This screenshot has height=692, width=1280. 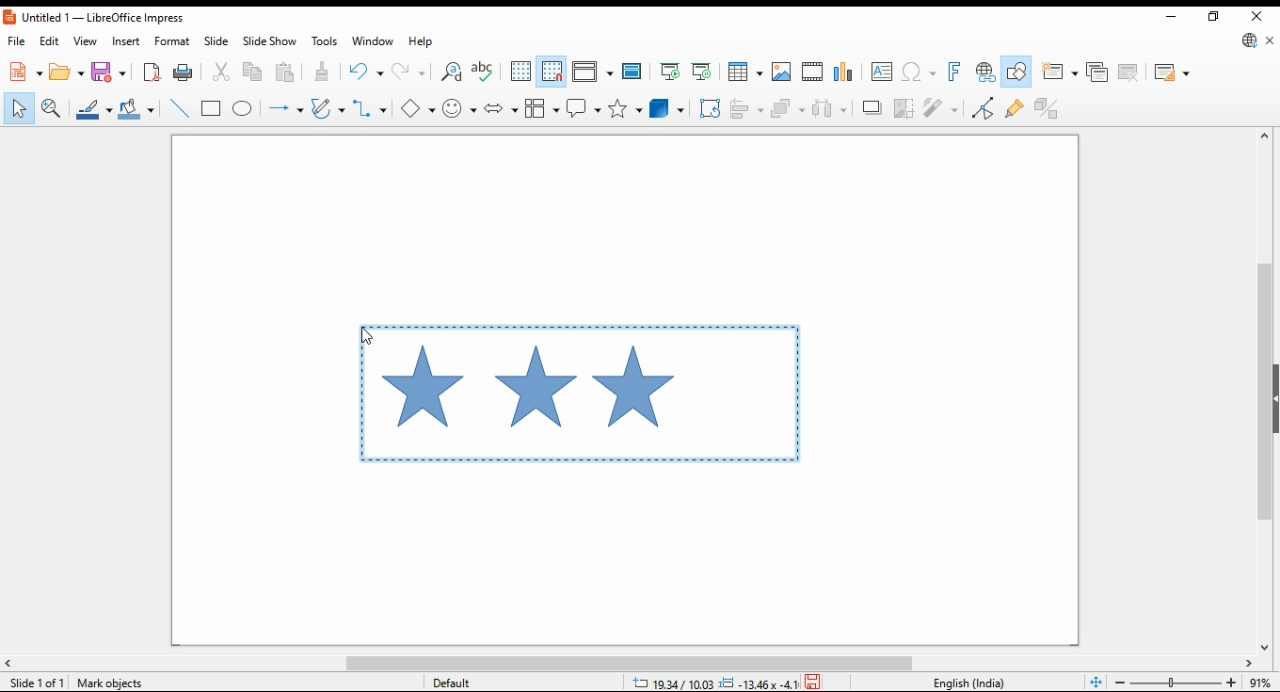 What do you see at coordinates (369, 105) in the screenshot?
I see `connectors` at bounding box center [369, 105].